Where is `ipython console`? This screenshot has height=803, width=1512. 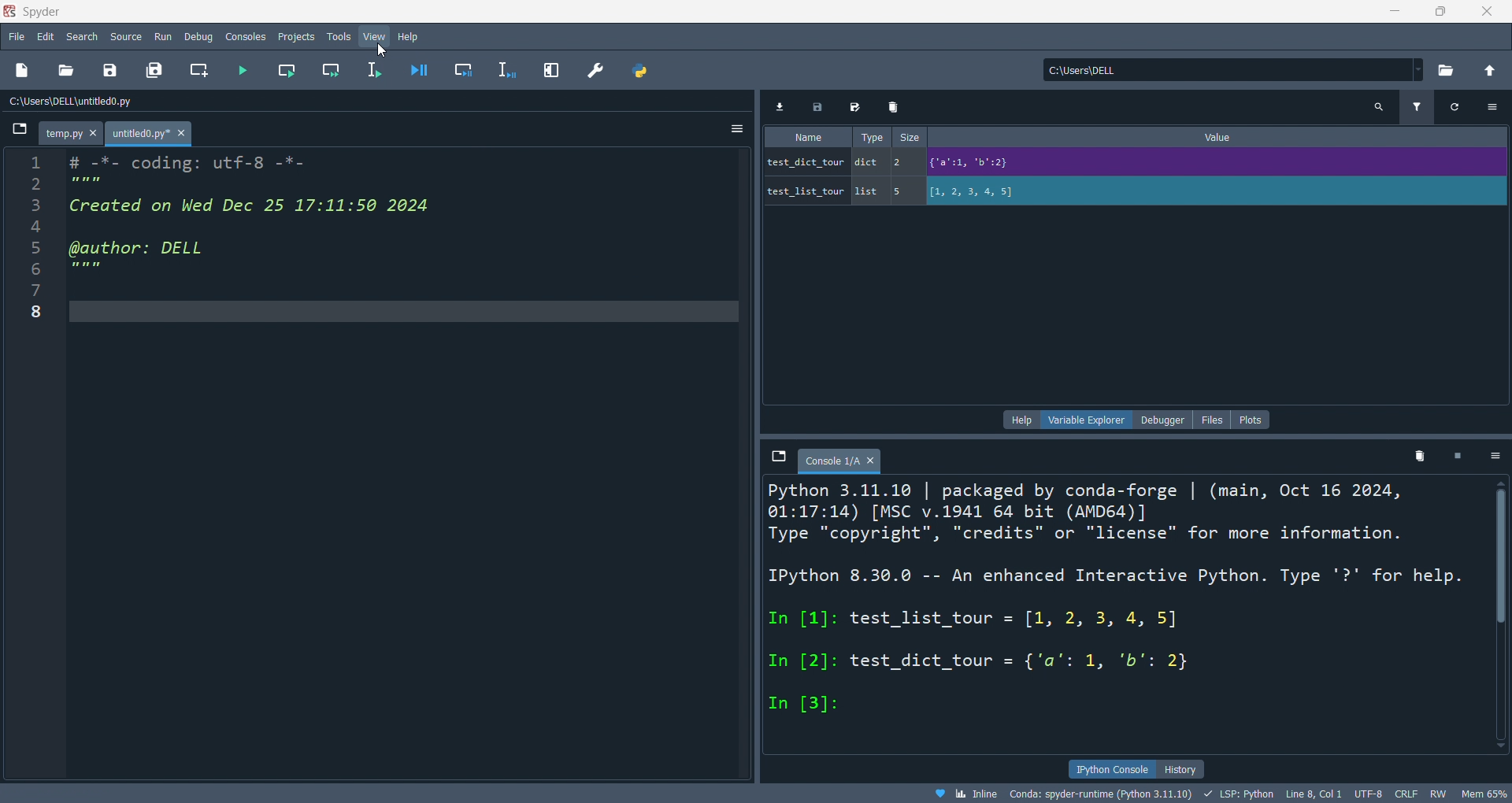 ipython console is located at coordinates (1114, 770).